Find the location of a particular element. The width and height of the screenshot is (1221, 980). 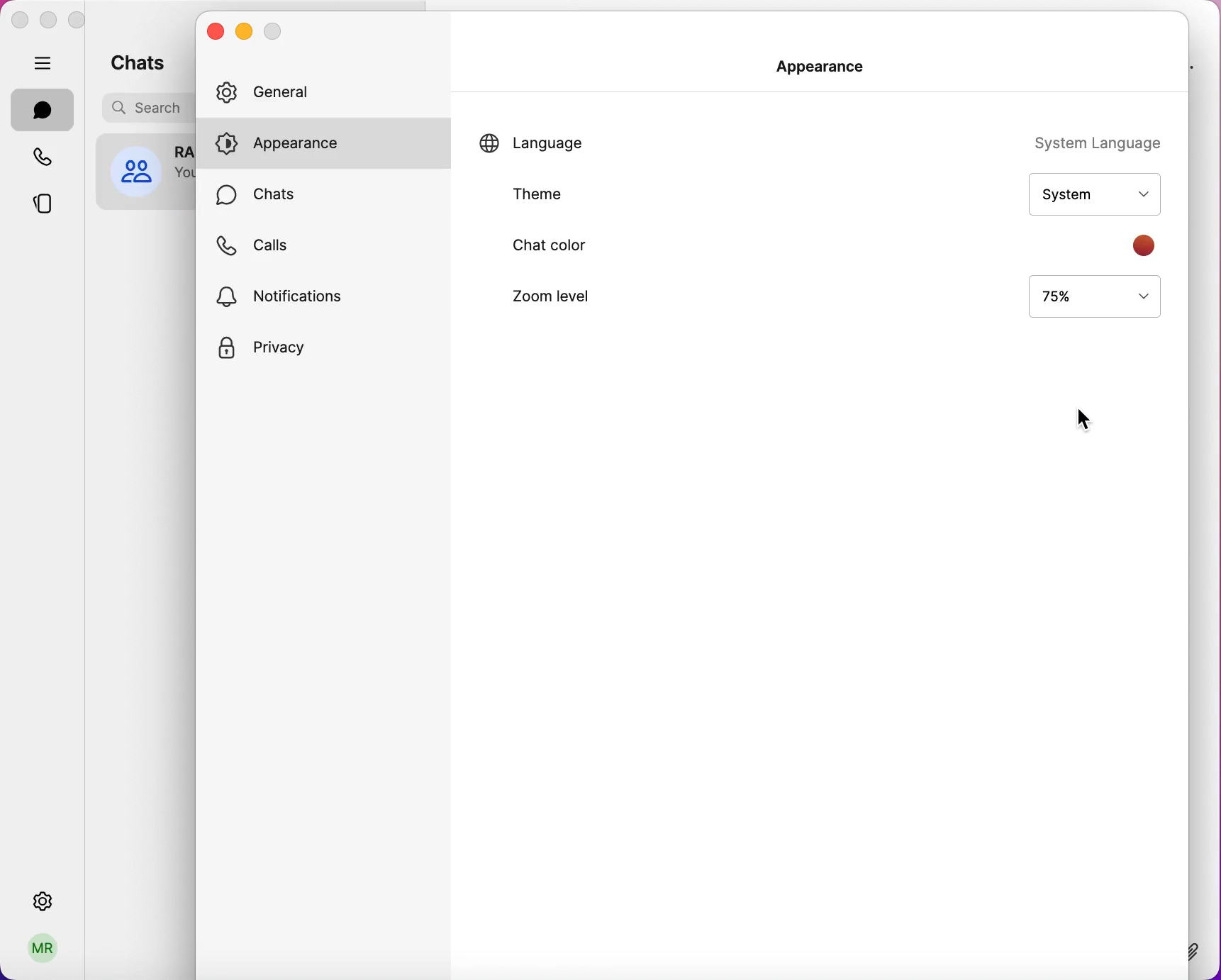

chats is located at coordinates (274, 191).